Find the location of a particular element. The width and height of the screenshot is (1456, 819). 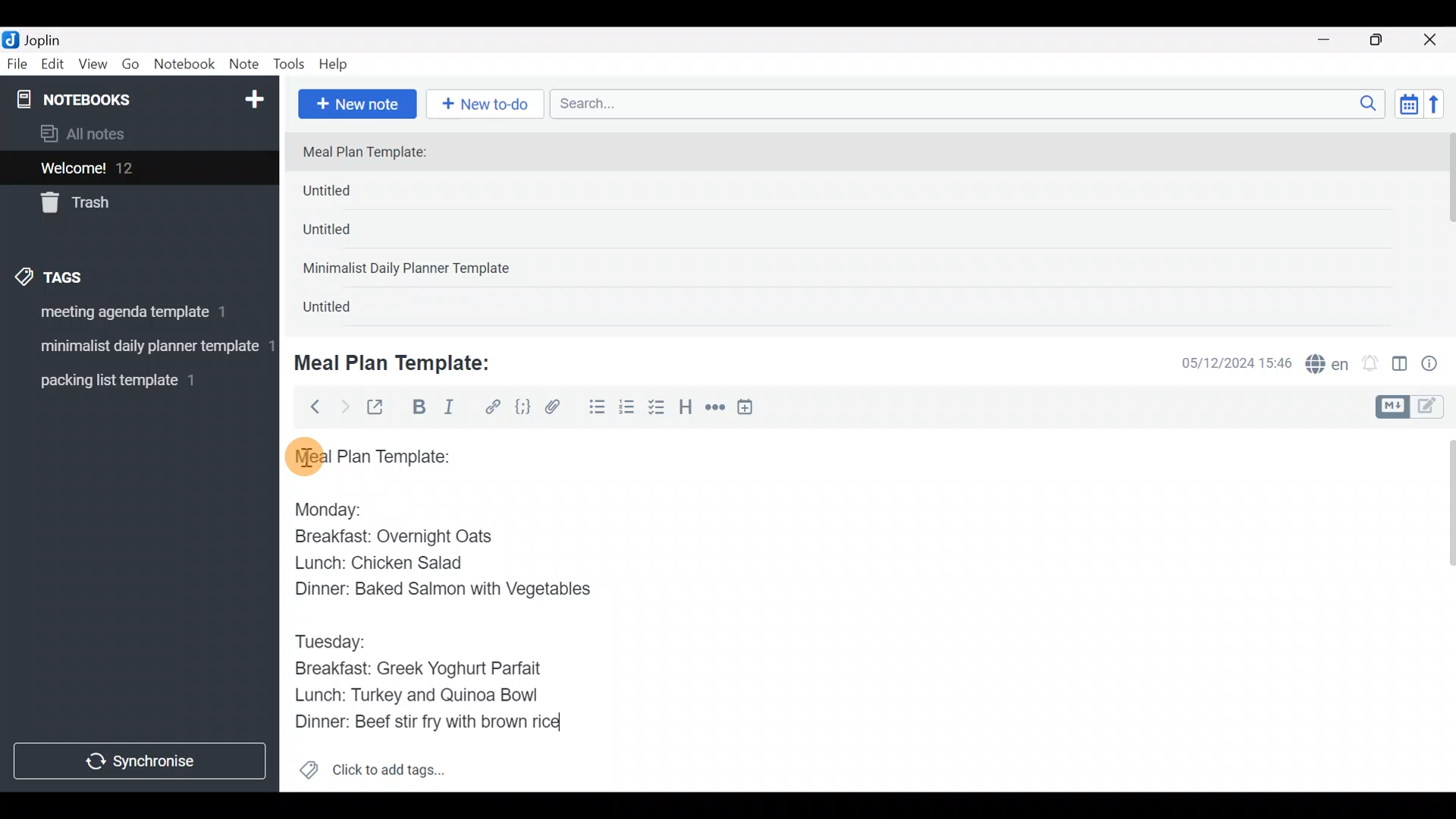

Tag 2 is located at coordinates (139, 348).